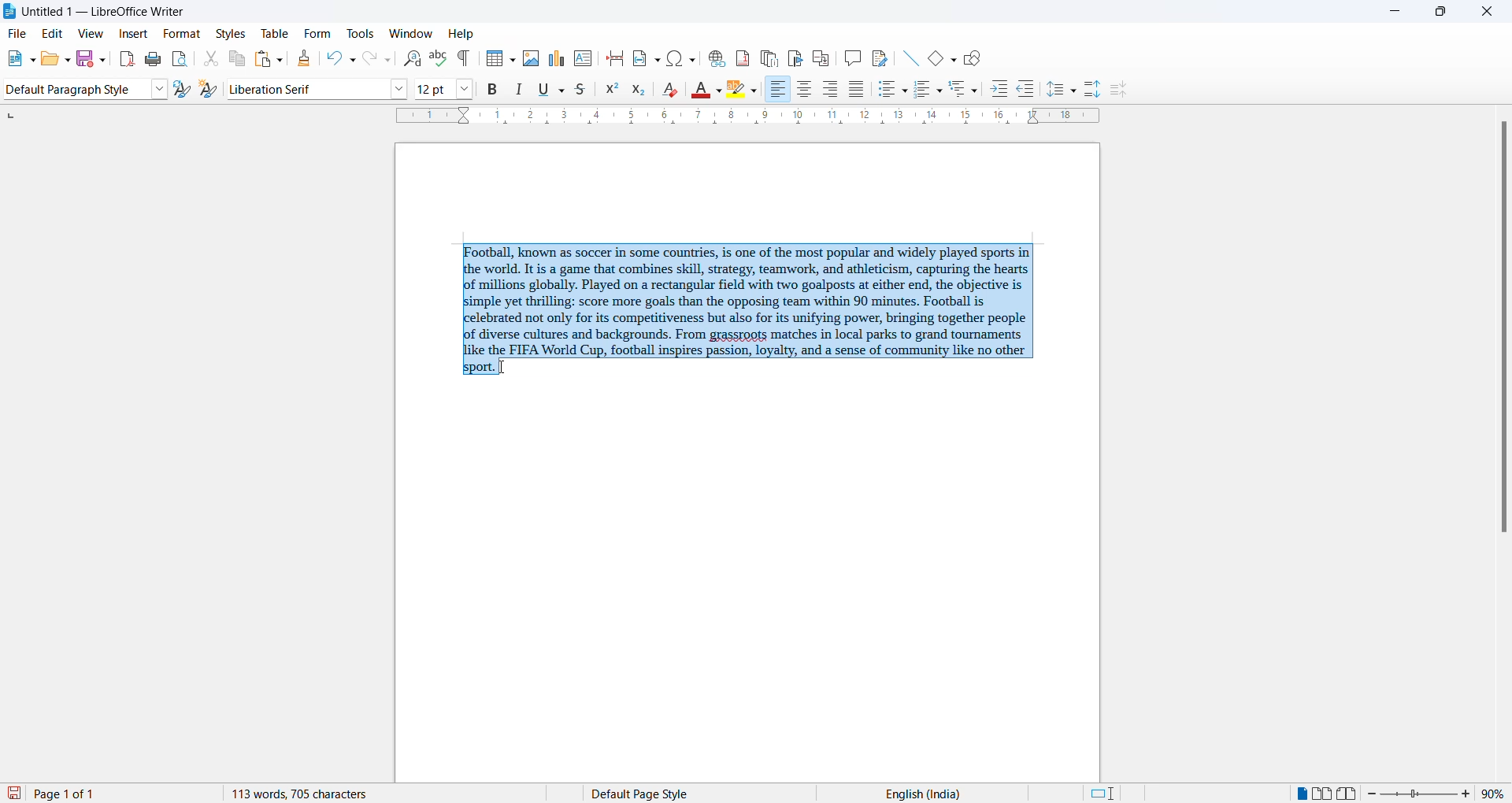  Describe the element at coordinates (831, 90) in the screenshot. I see `text align center` at that location.